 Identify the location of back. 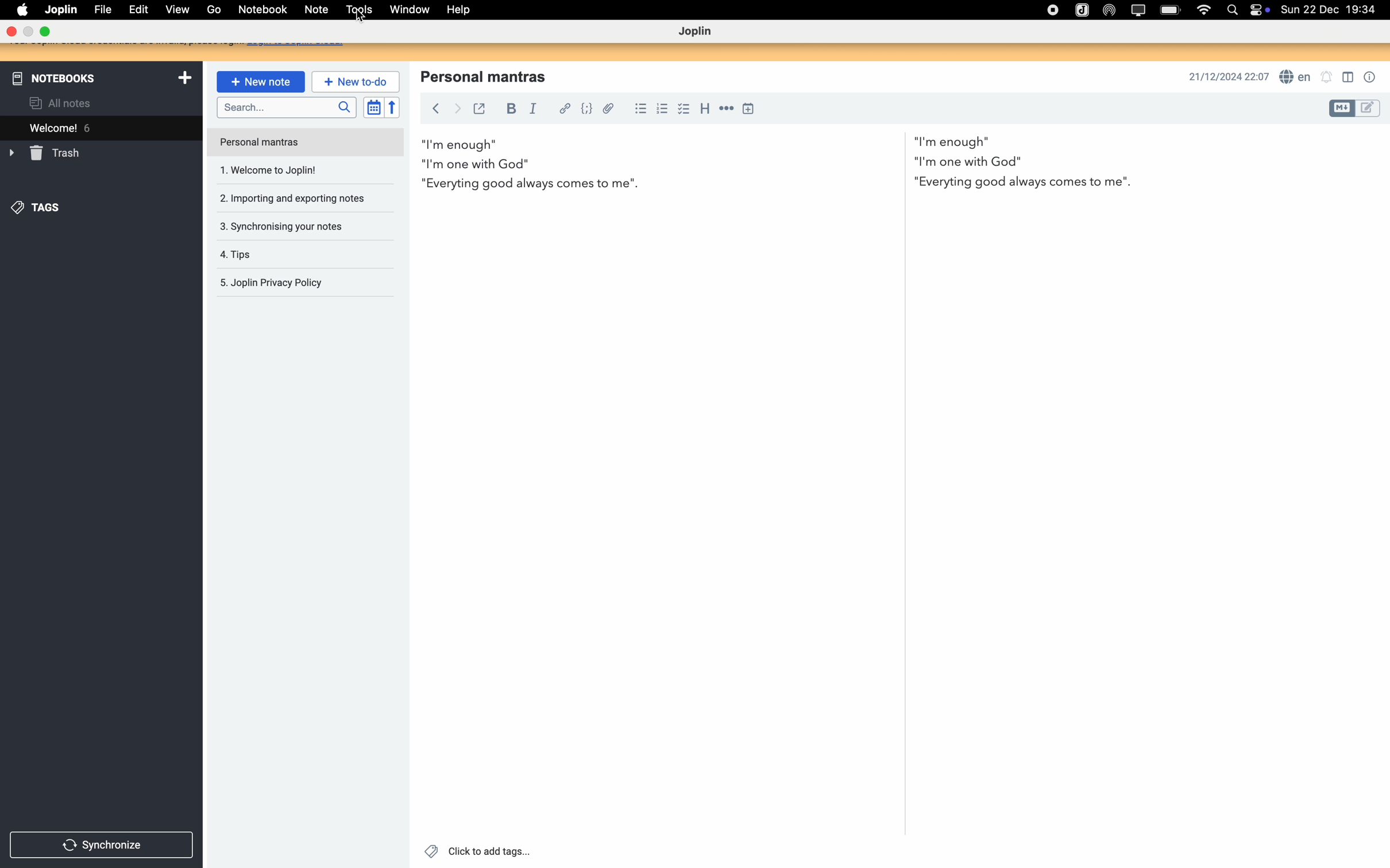
(438, 108).